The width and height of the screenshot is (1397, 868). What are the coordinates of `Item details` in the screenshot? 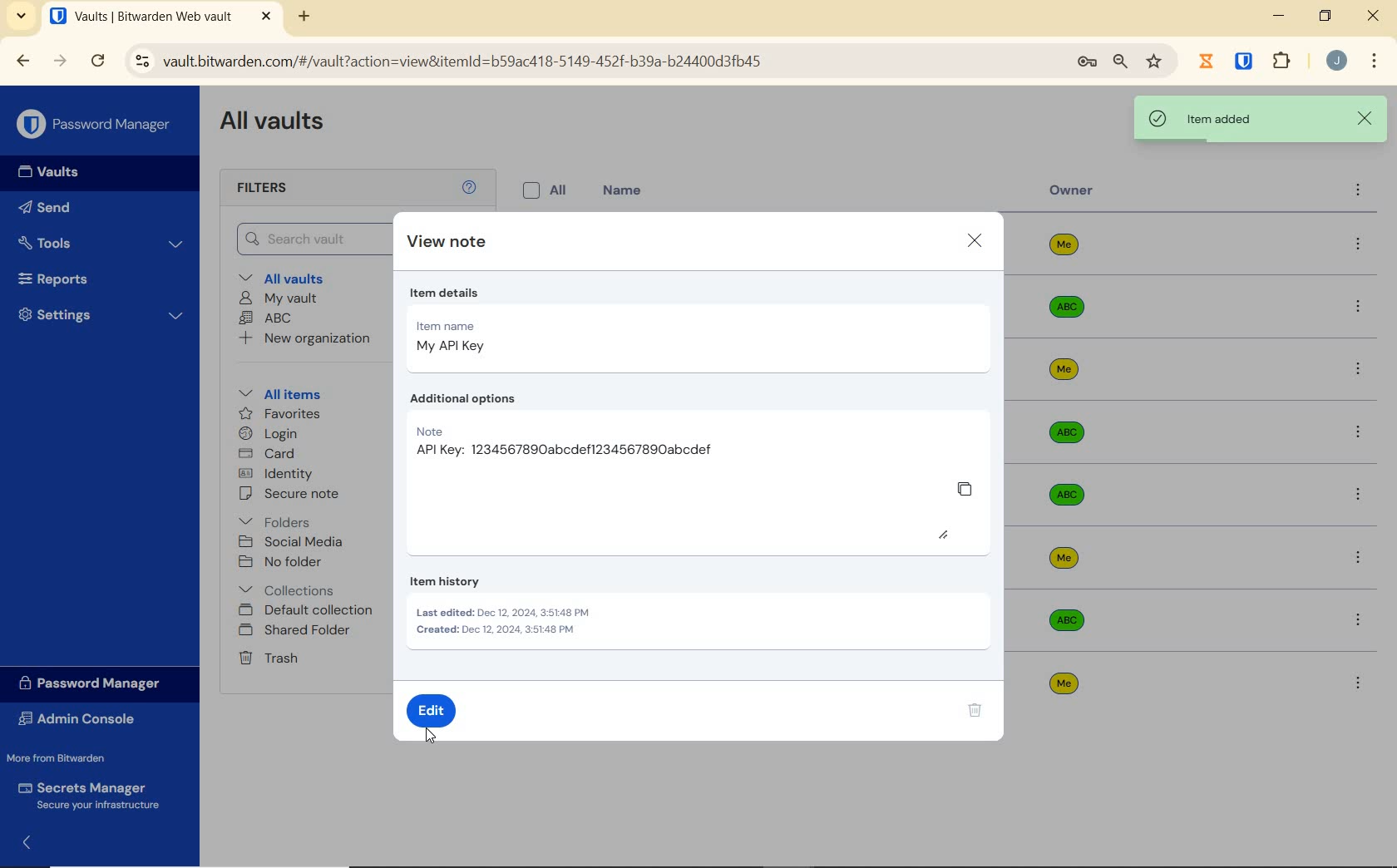 It's located at (510, 293).